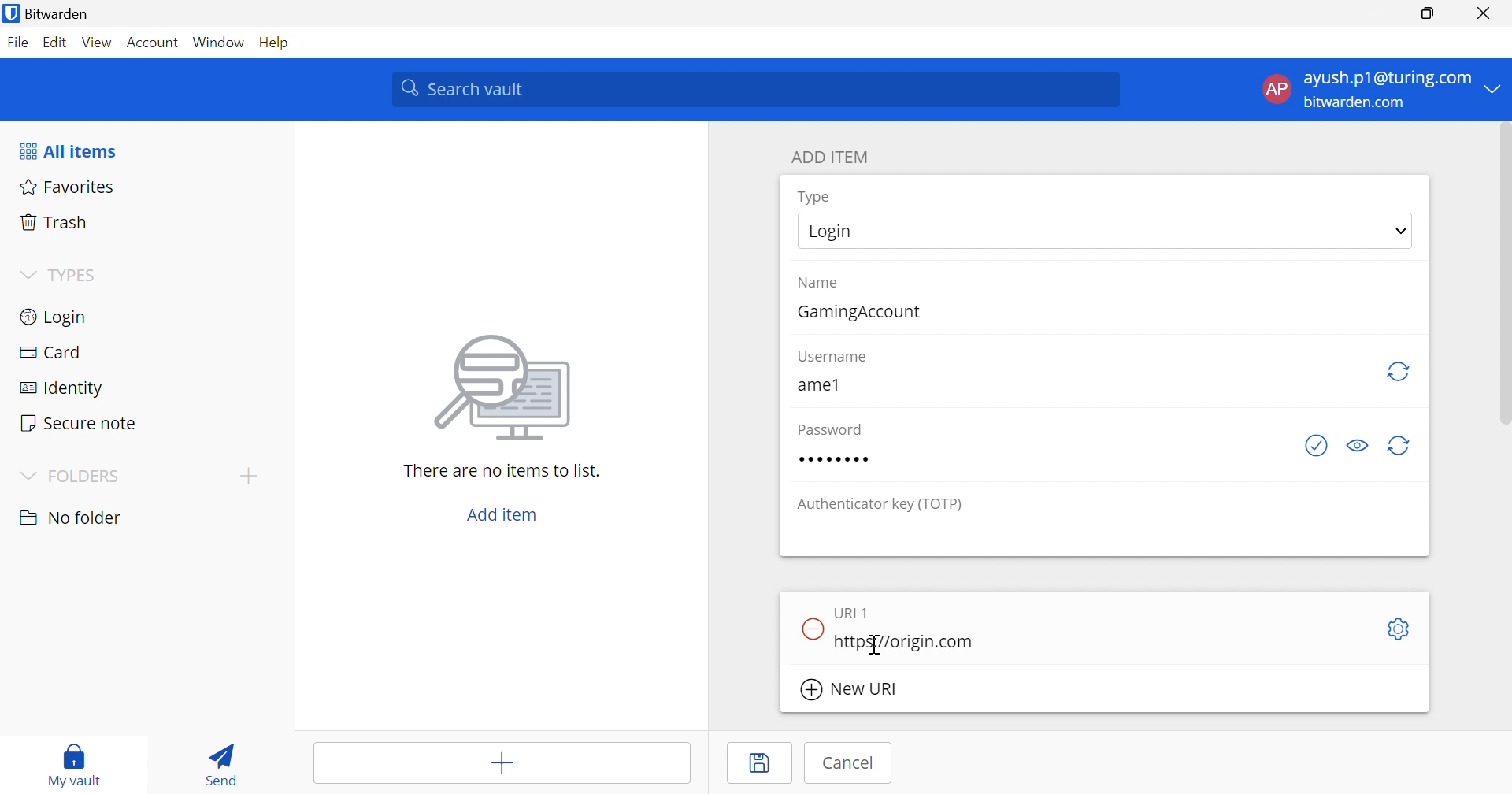 The height and width of the screenshot is (794, 1512). I want to click on ayush.p1@turing.com, so click(1390, 80).